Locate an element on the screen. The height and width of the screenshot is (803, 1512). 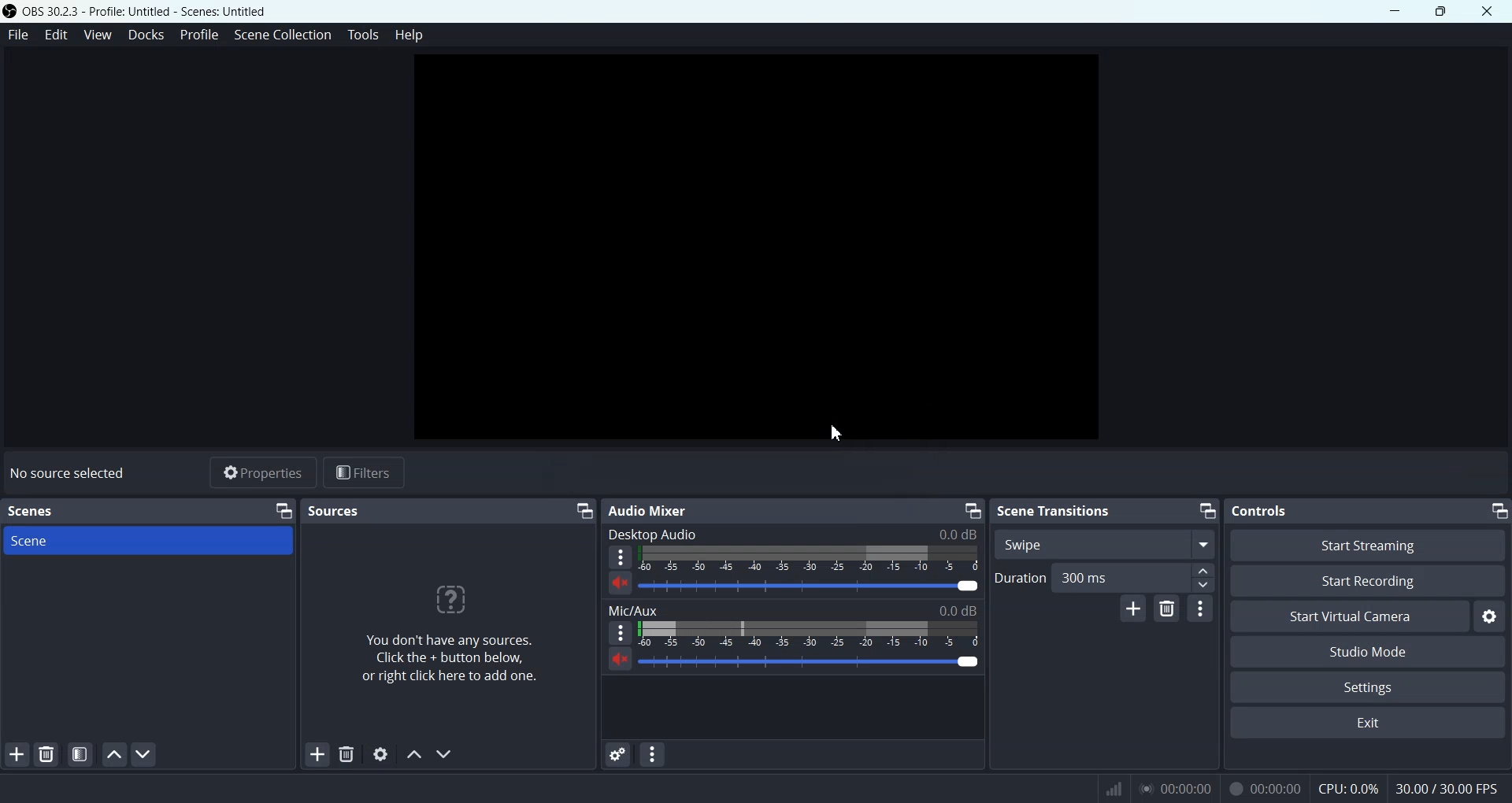
Transition properties is located at coordinates (1202, 608).